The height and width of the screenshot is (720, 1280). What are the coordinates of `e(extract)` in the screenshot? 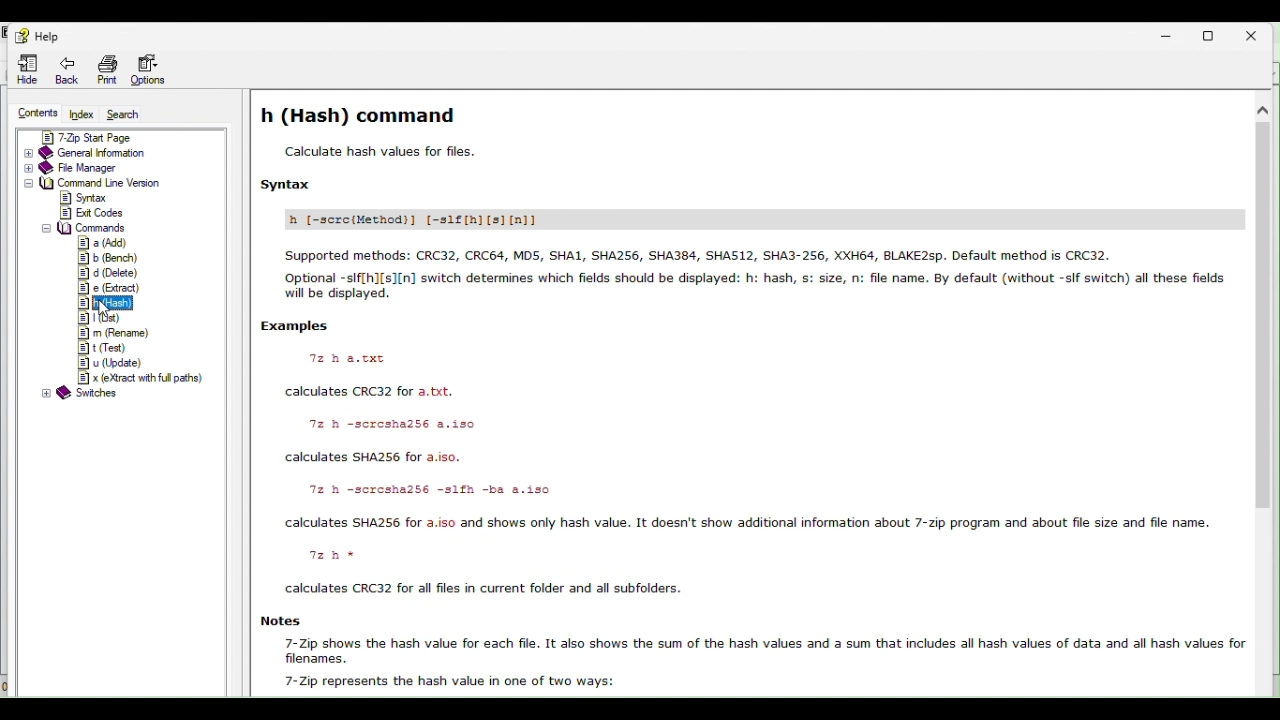 It's located at (106, 289).